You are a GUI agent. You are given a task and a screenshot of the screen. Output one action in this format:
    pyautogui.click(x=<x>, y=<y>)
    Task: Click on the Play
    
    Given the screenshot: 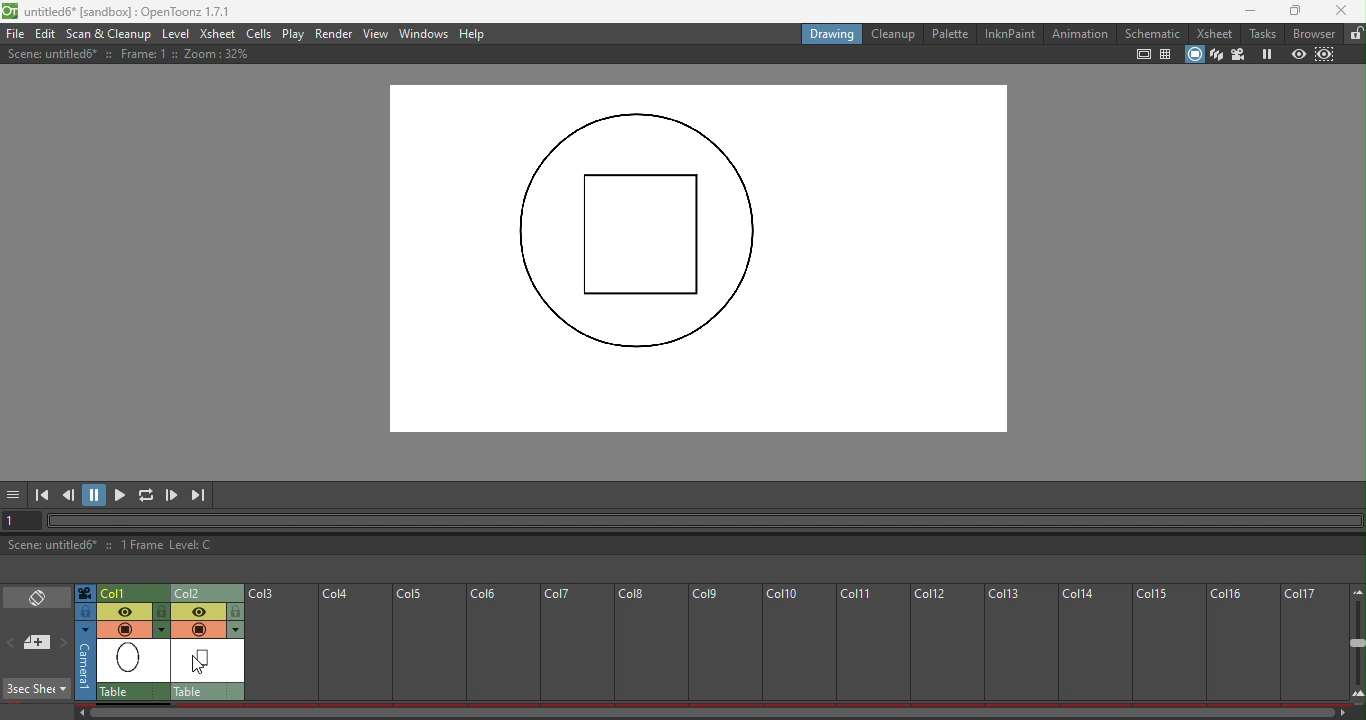 What is the action you would take?
    pyautogui.click(x=122, y=495)
    